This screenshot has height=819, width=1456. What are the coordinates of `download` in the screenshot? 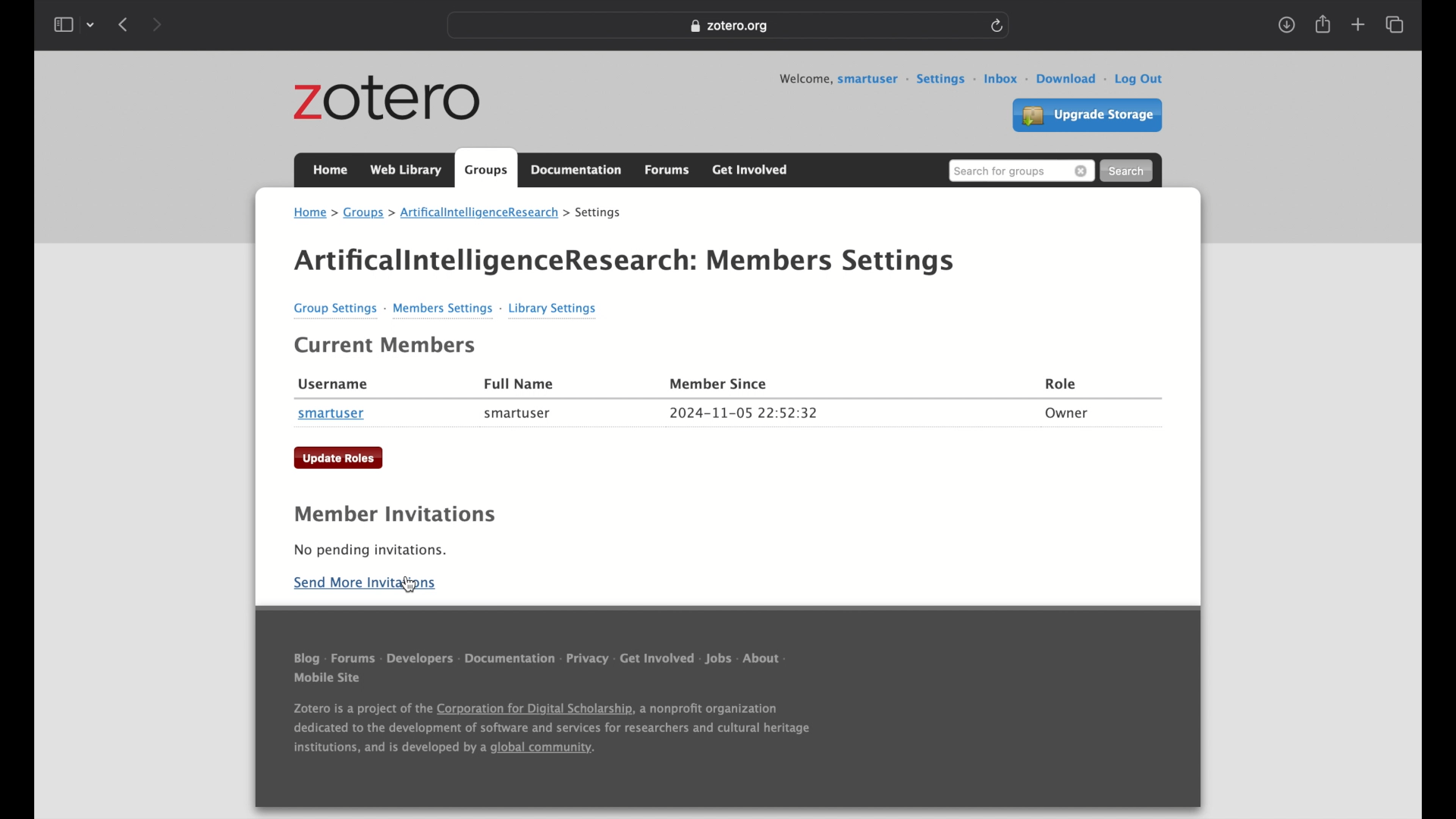 It's located at (1073, 80).